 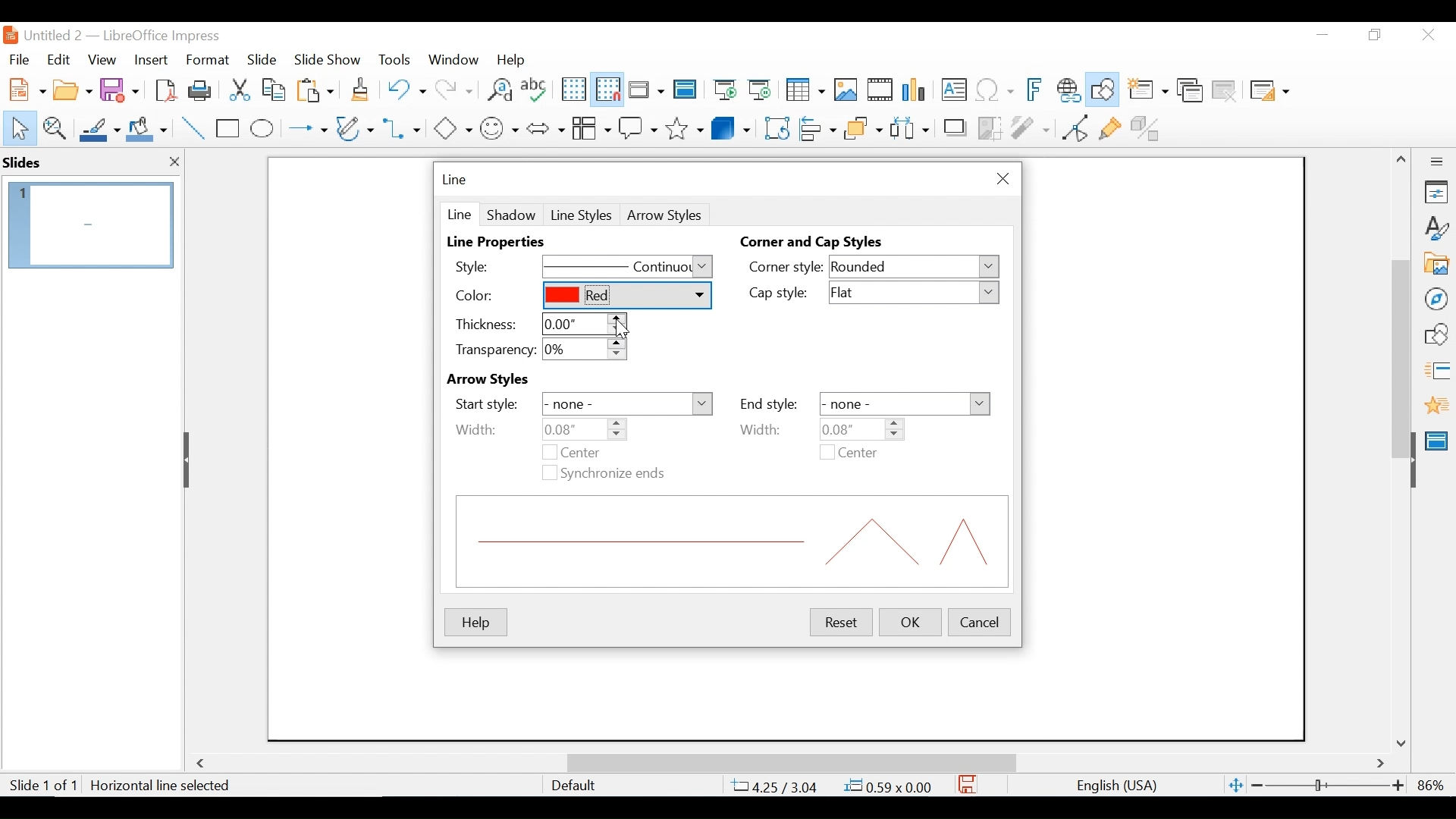 I want to click on Help, so click(x=515, y=59).